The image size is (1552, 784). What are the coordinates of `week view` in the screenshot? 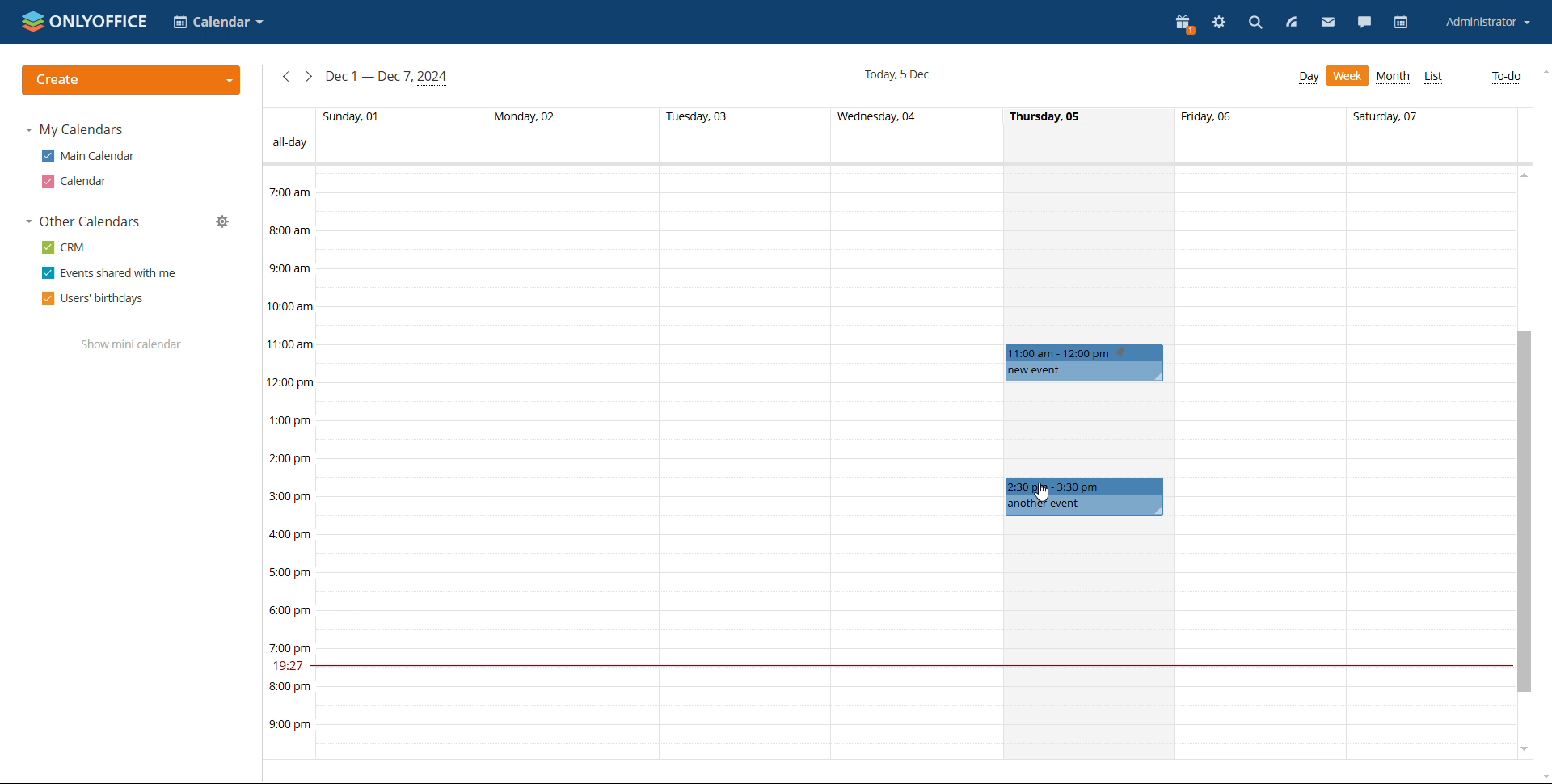 It's located at (1309, 78).